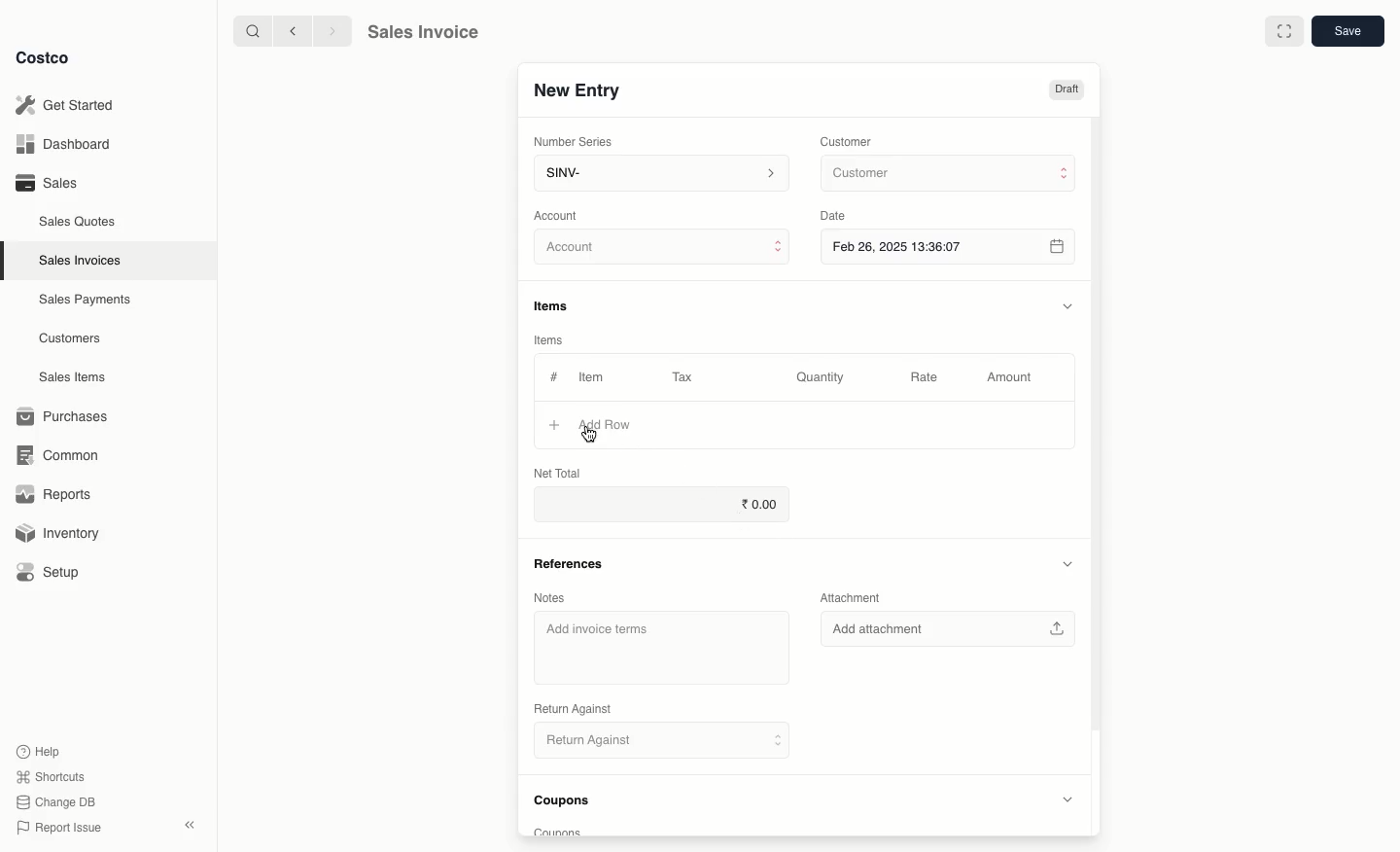 The height and width of the screenshot is (852, 1400). I want to click on Sales Items, so click(77, 377).